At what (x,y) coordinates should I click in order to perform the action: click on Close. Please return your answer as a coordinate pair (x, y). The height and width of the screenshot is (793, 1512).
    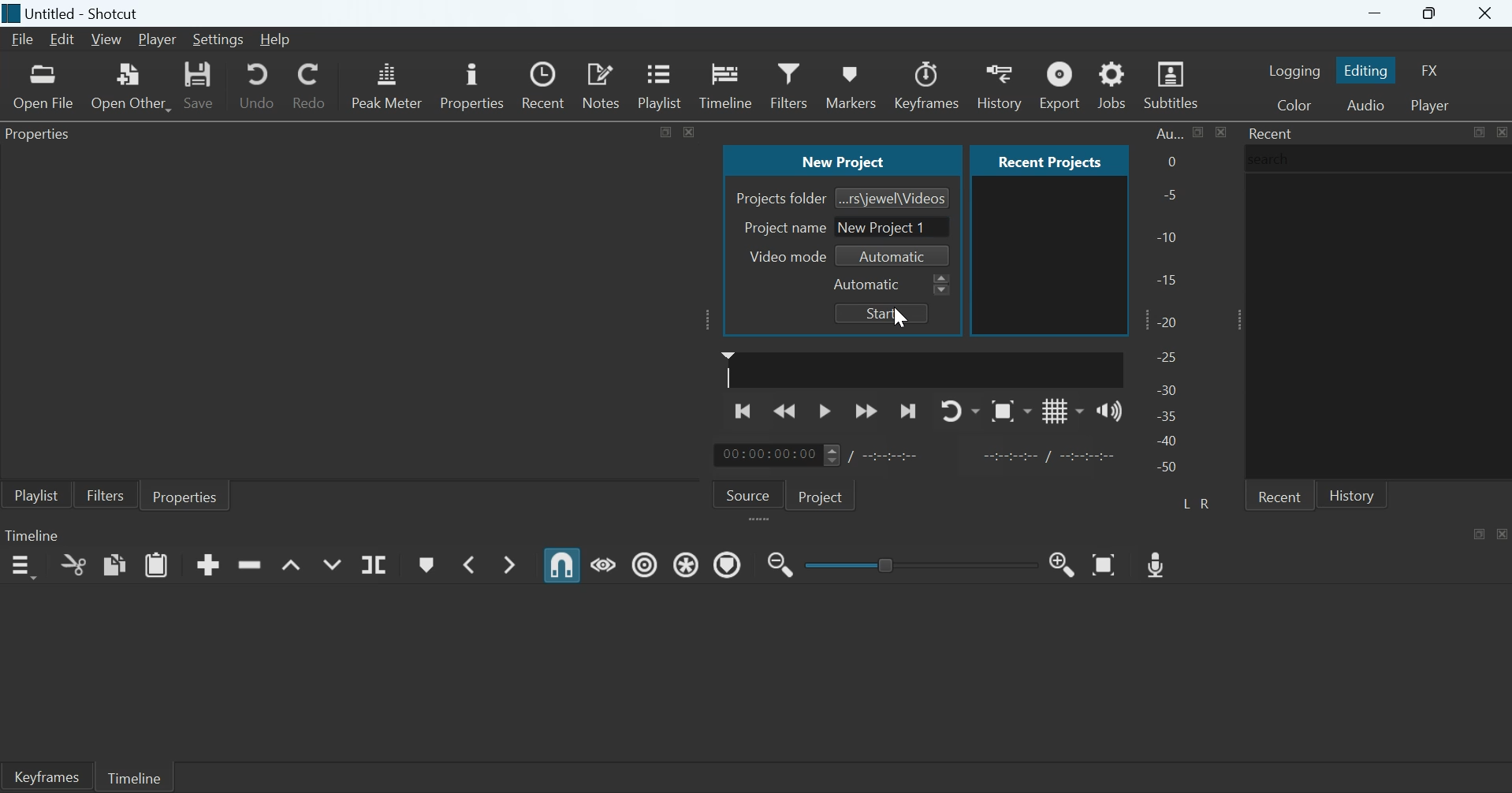
    Looking at the image, I should click on (1503, 533).